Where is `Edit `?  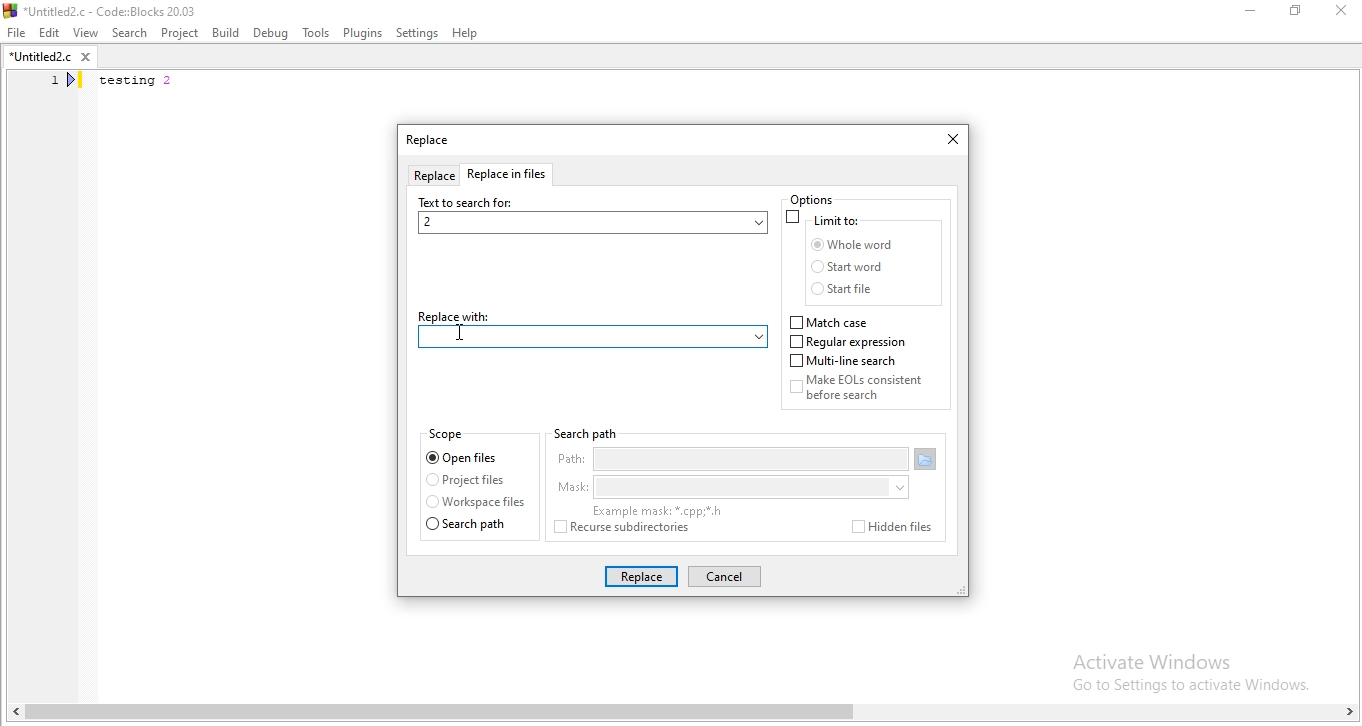
Edit  is located at coordinates (49, 33).